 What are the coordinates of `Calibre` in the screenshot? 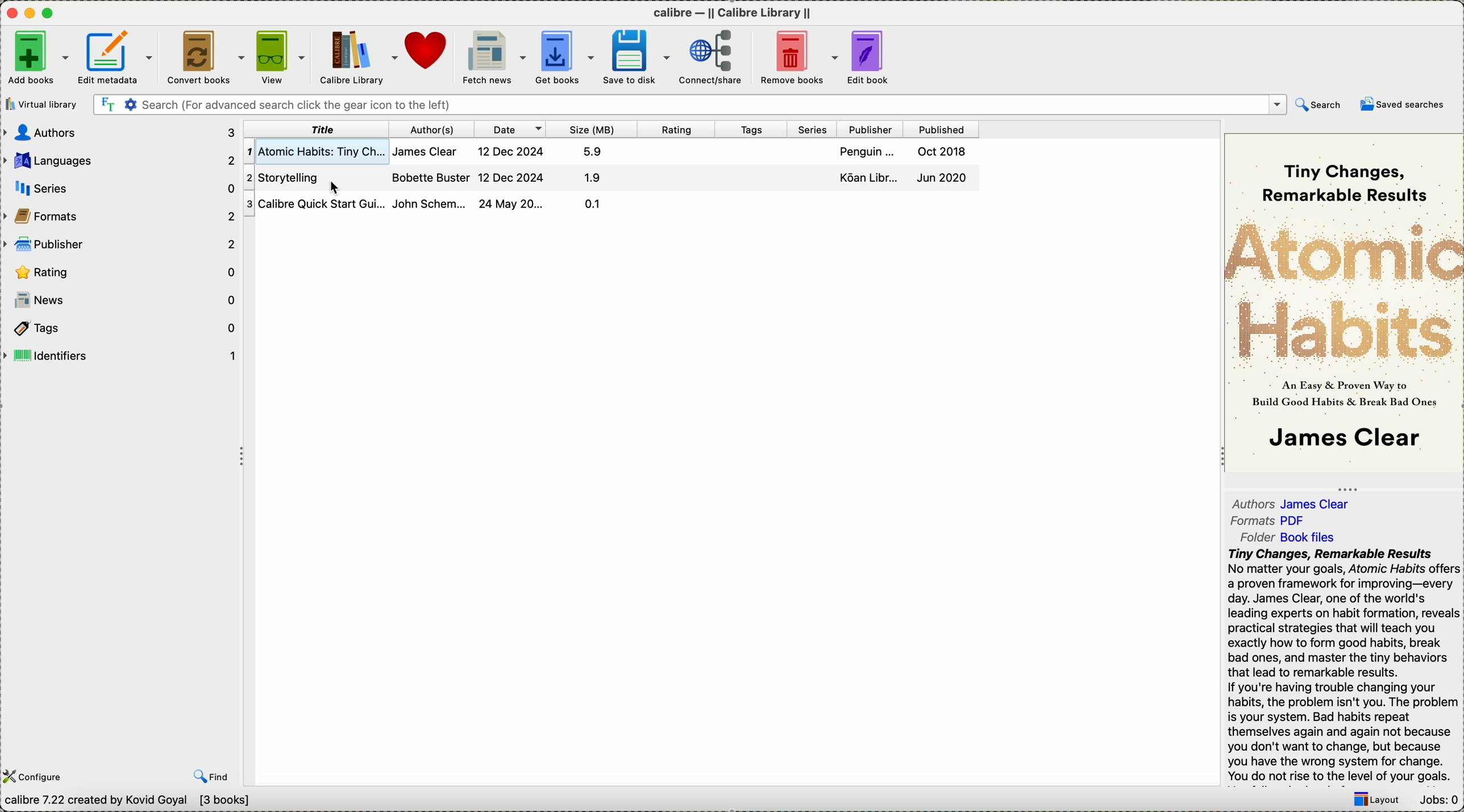 It's located at (731, 14).